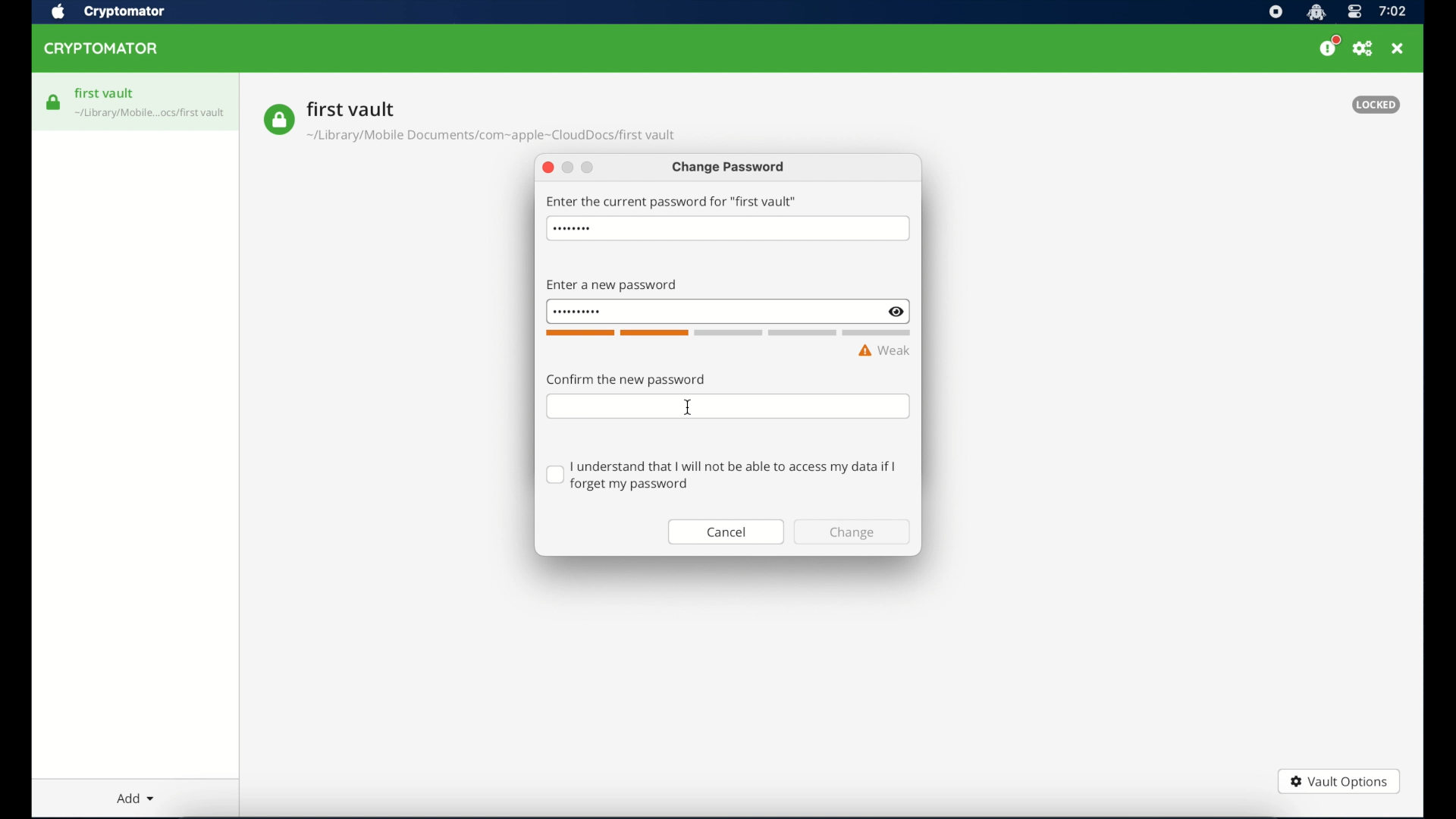  I want to click on add dropdown, so click(136, 798).